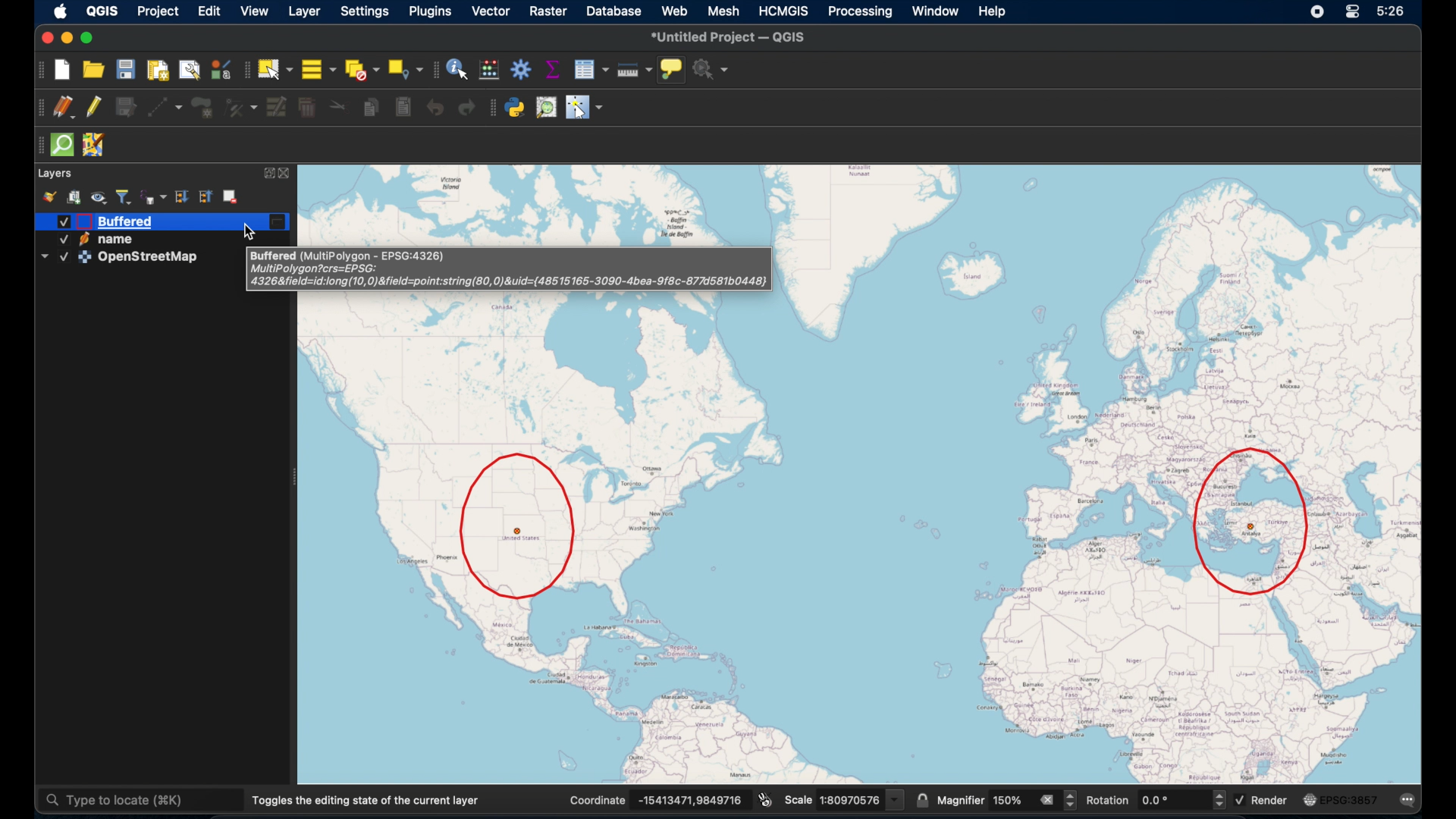 This screenshot has height=819, width=1456. Describe the element at coordinates (98, 197) in the screenshot. I see `manage map theme` at that location.